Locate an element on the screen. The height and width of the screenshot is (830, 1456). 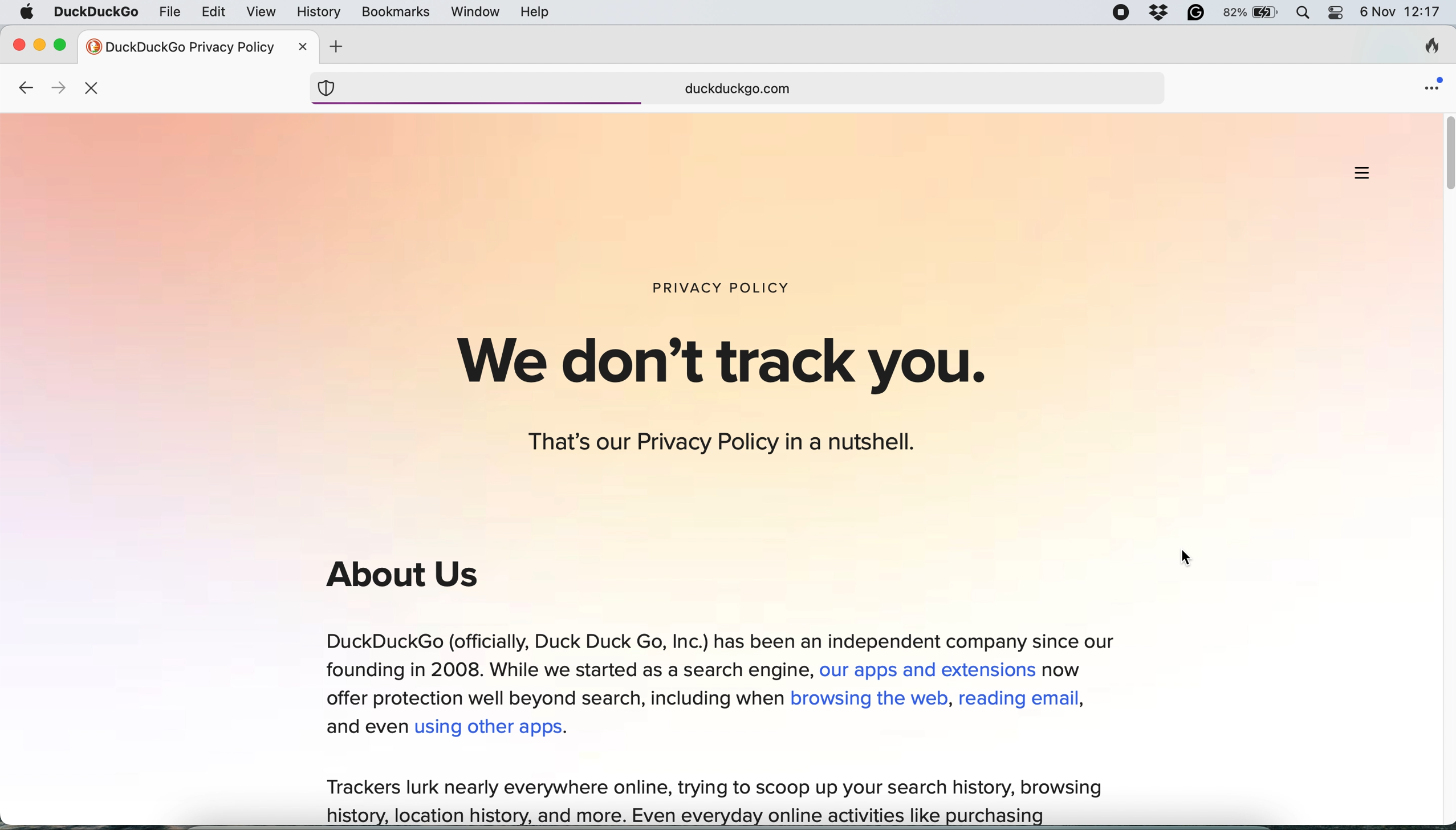
new tab is located at coordinates (177, 46).